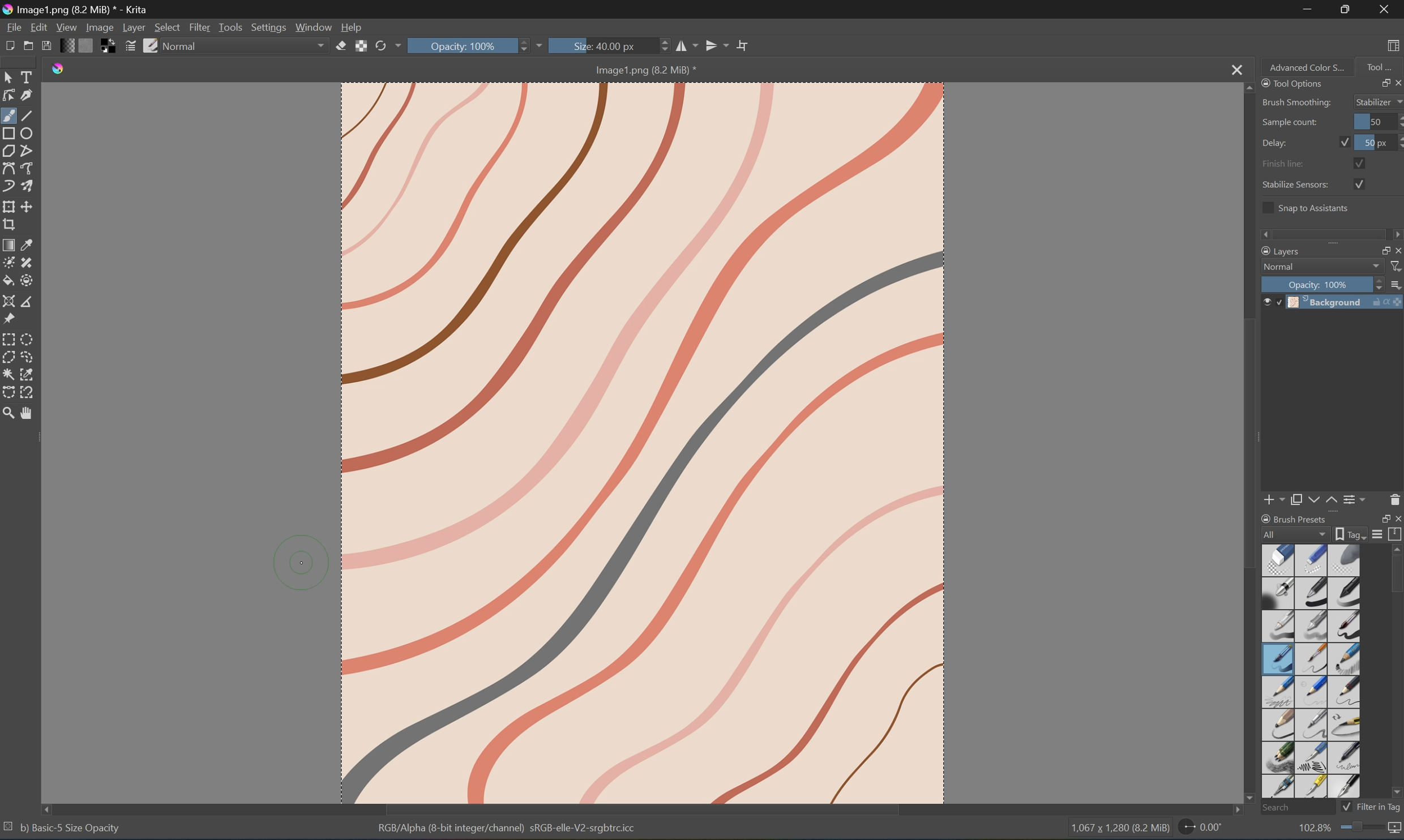  I want to click on Move the layer, so click(29, 207).